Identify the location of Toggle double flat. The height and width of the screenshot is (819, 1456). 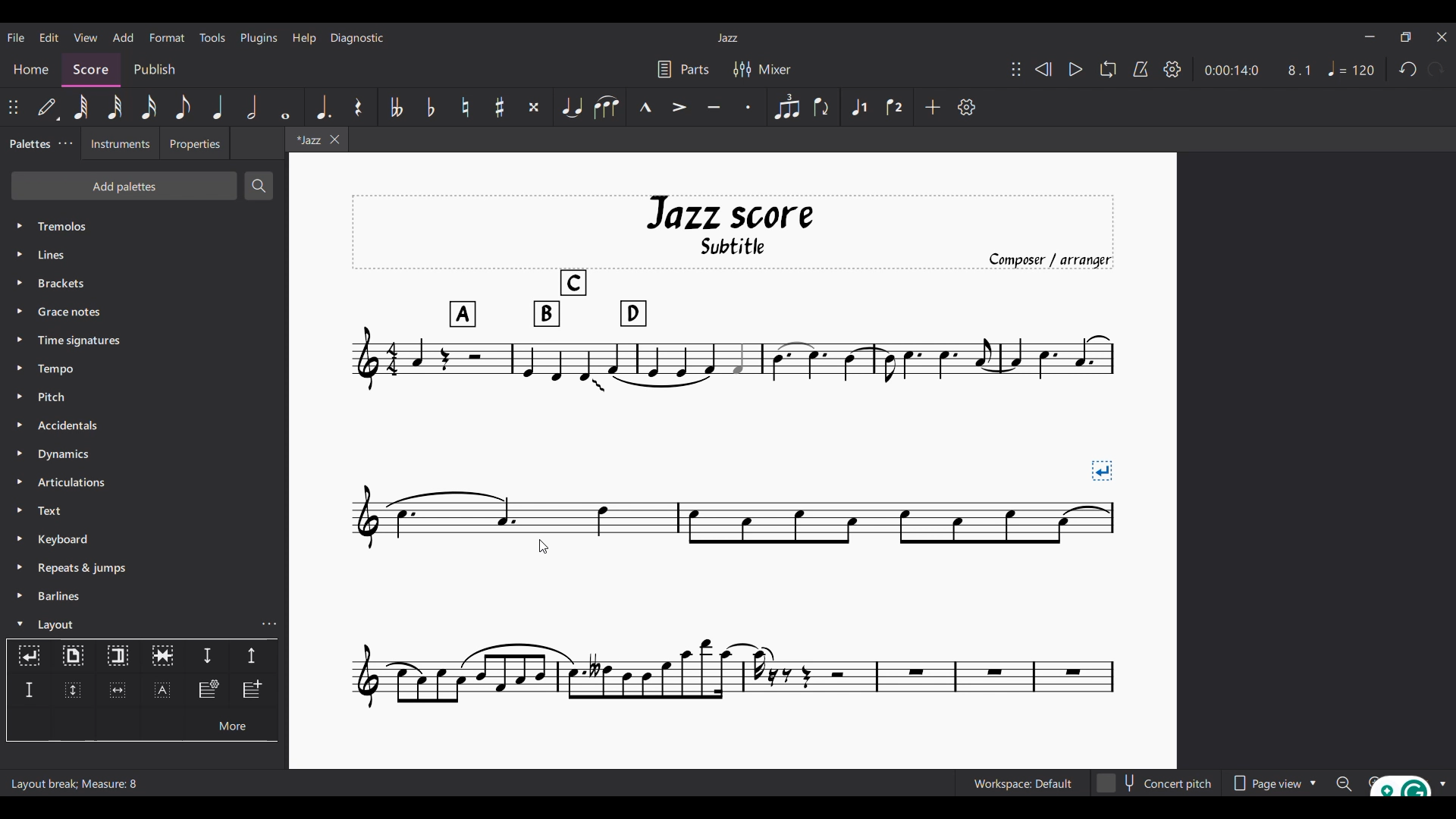
(395, 107).